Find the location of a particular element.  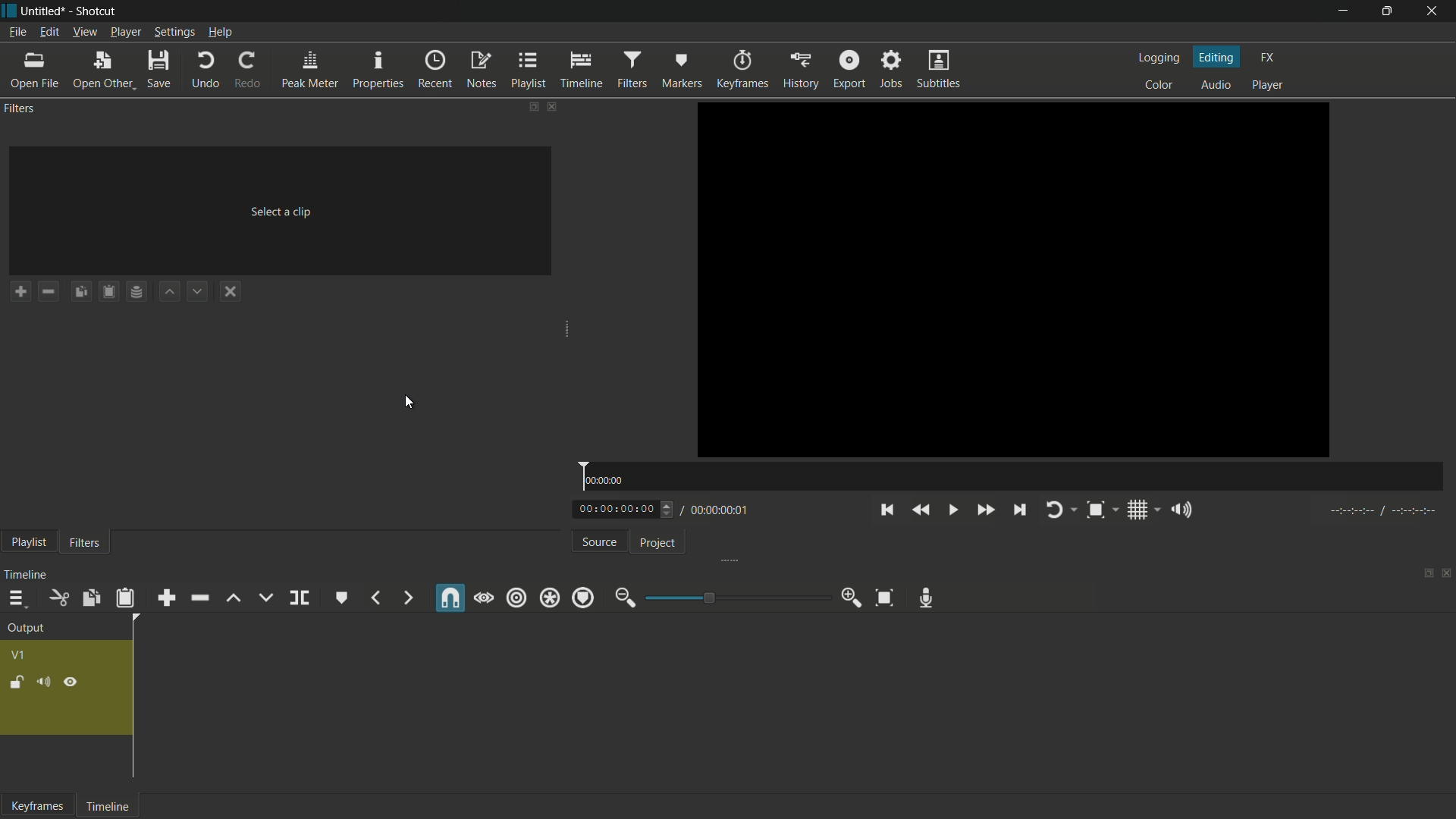

export is located at coordinates (849, 69).